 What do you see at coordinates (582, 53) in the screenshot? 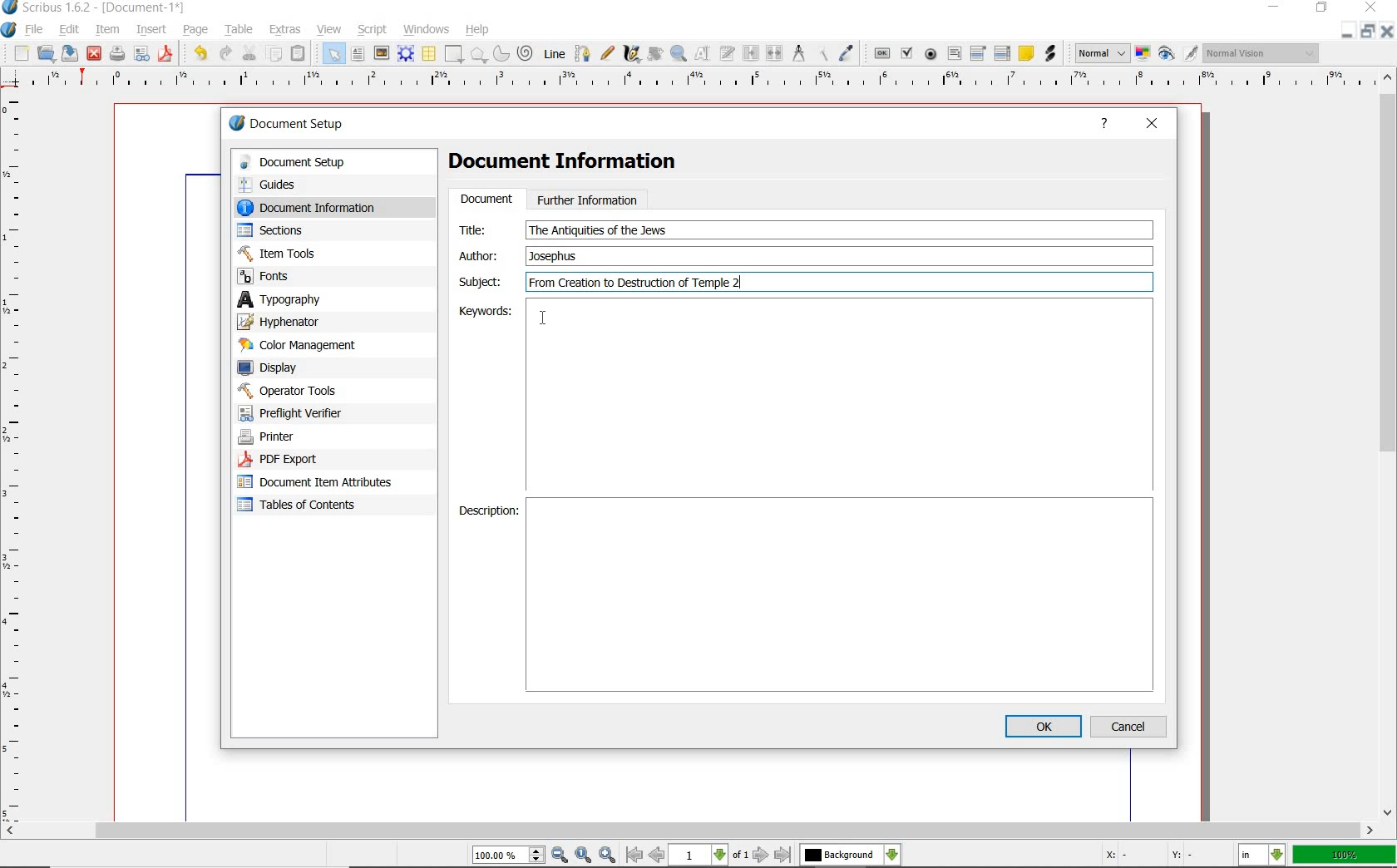
I see `Bezier curve` at bounding box center [582, 53].